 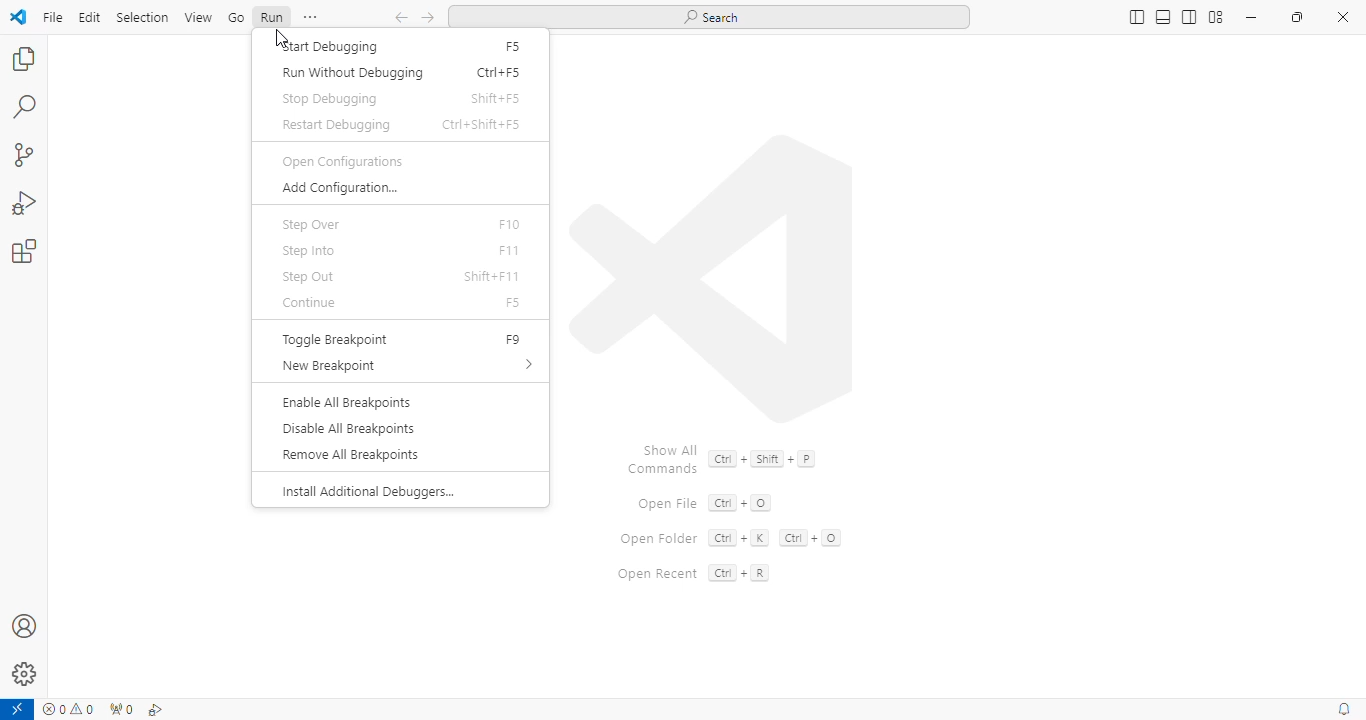 I want to click on Ctrl+R, so click(x=738, y=573).